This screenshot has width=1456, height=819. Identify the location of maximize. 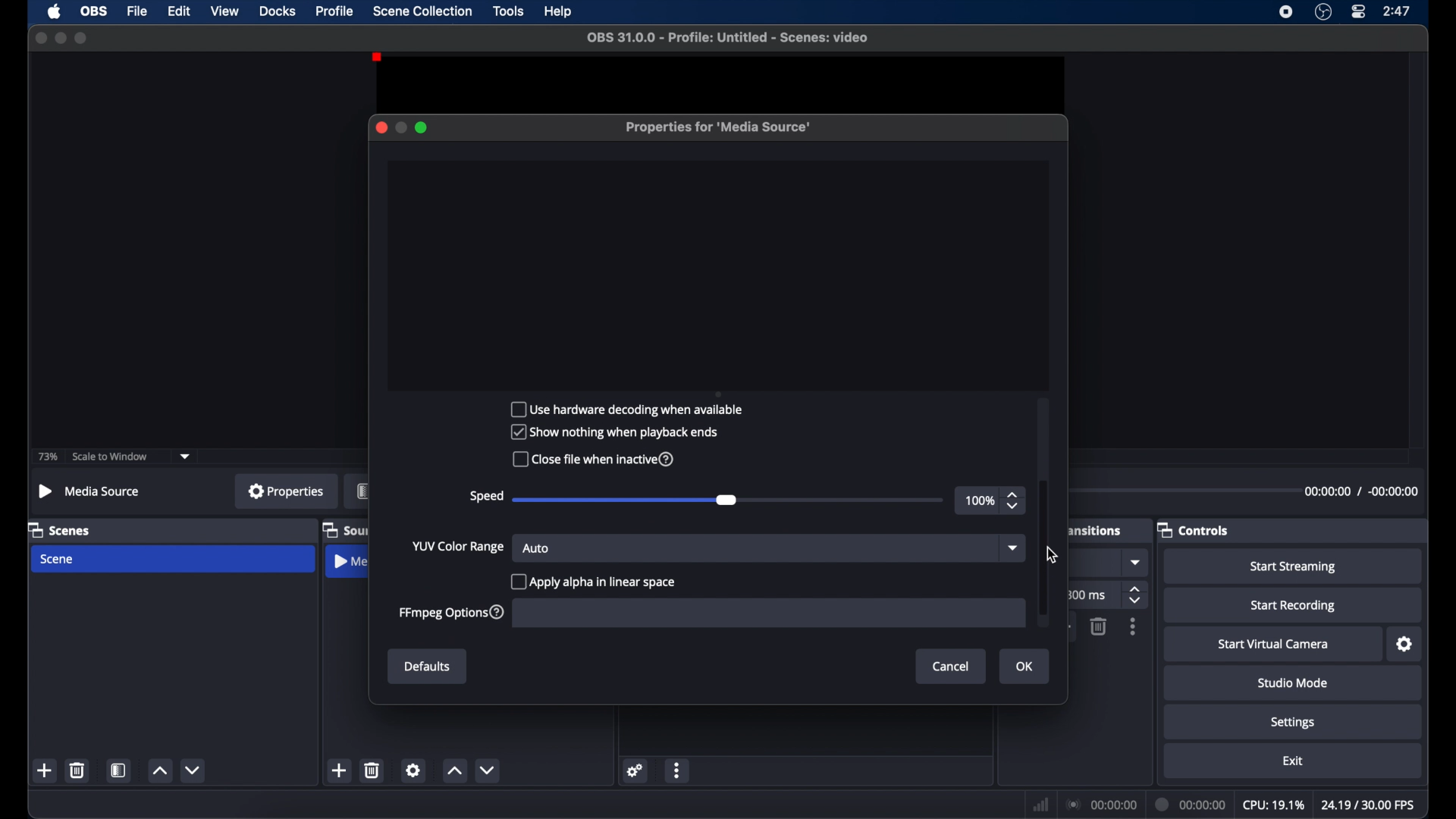
(423, 127).